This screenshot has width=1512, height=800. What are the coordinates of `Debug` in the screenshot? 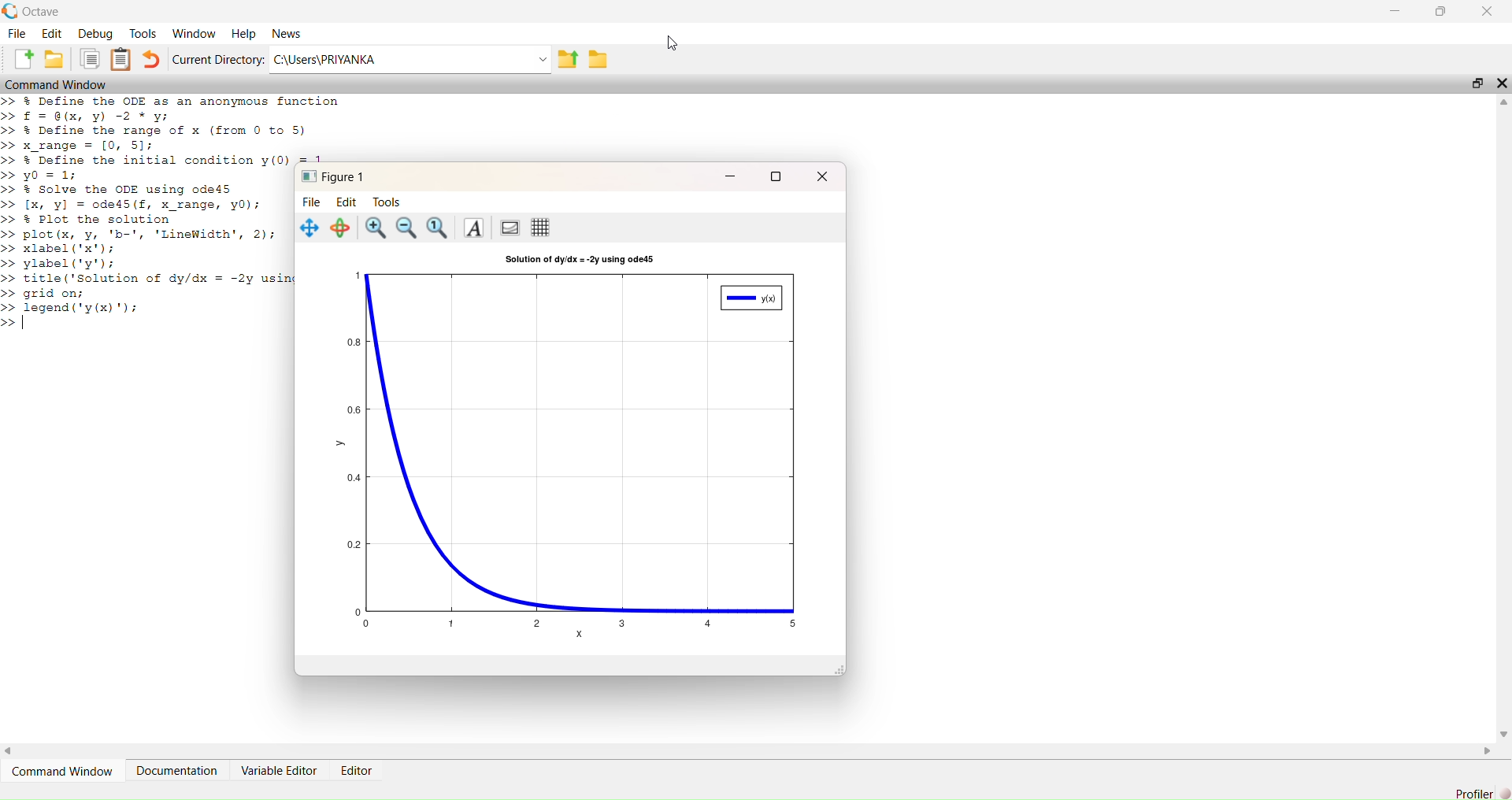 It's located at (95, 33).